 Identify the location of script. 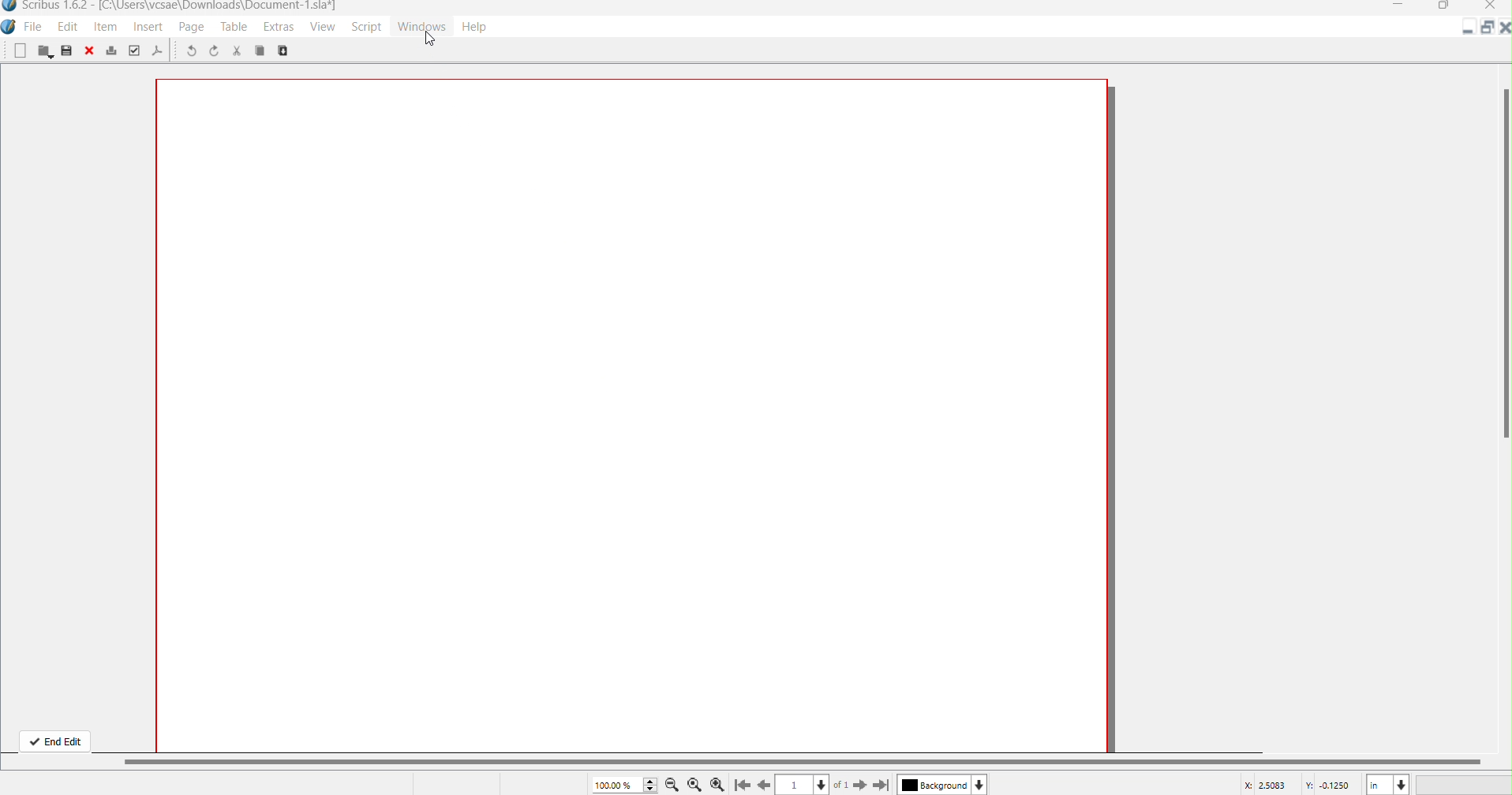
(365, 27).